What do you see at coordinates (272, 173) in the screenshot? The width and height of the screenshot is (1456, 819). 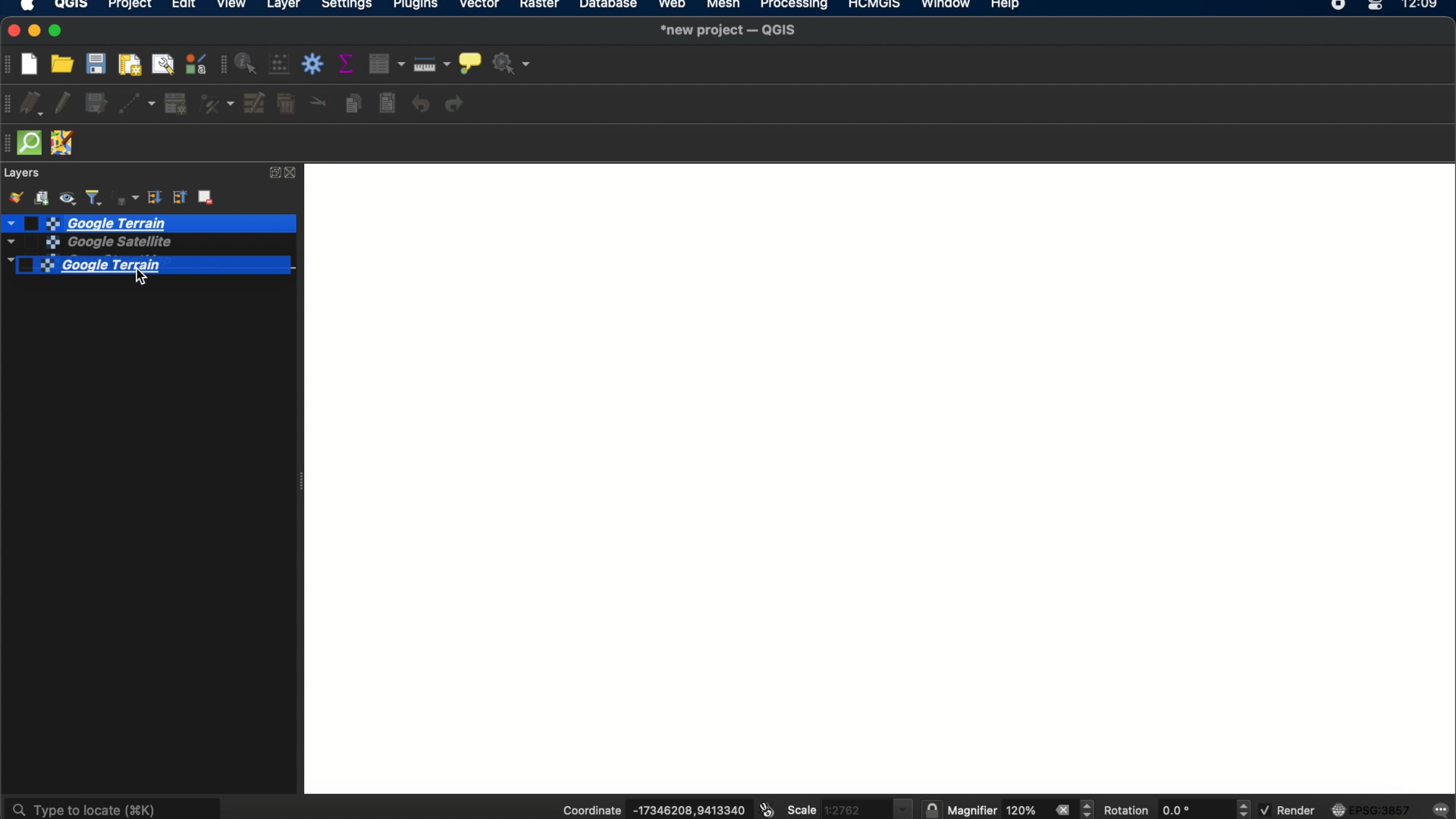 I see `expand` at bounding box center [272, 173].